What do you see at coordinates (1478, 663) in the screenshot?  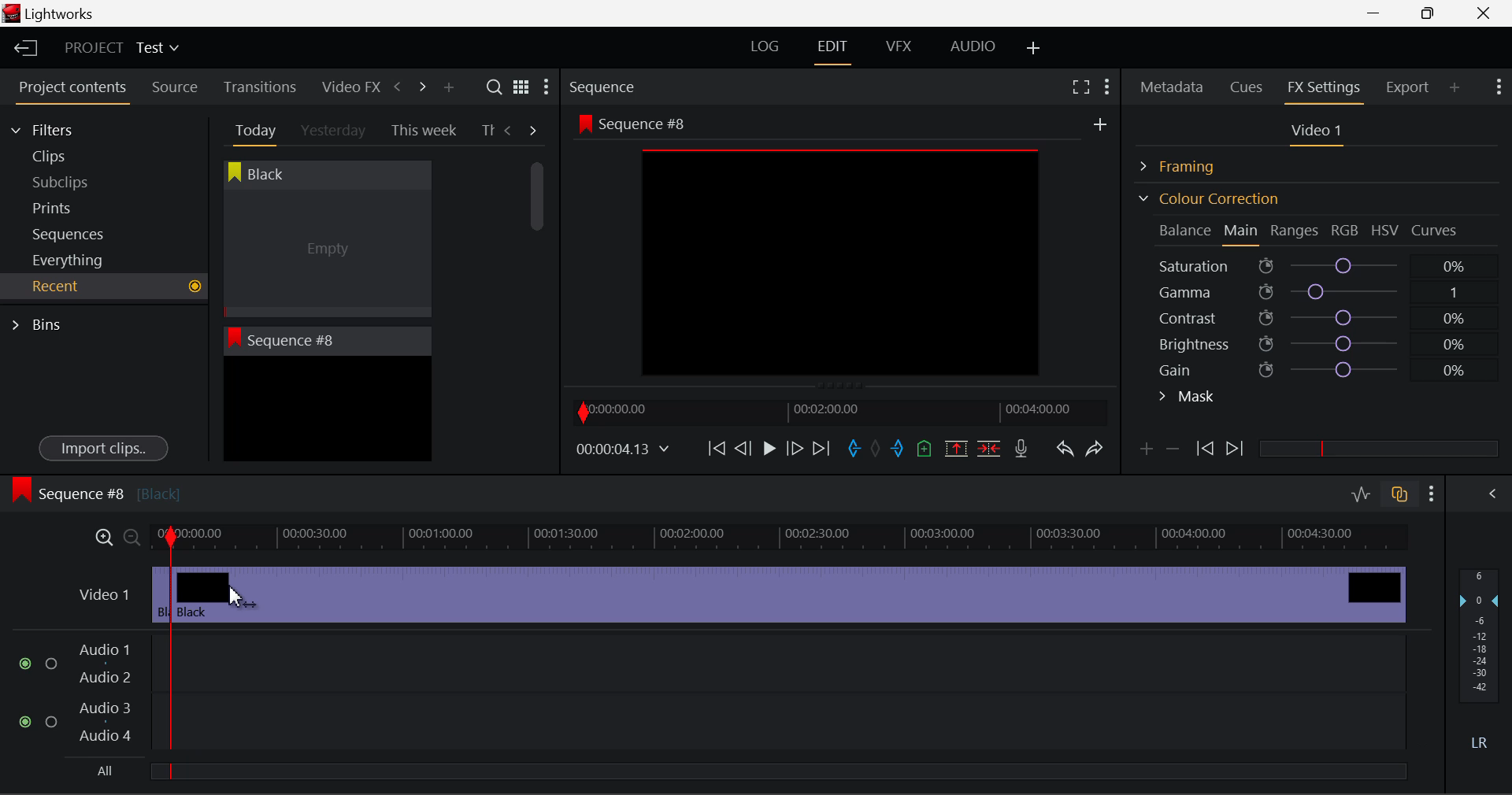 I see `Decibel Gain` at bounding box center [1478, 663].